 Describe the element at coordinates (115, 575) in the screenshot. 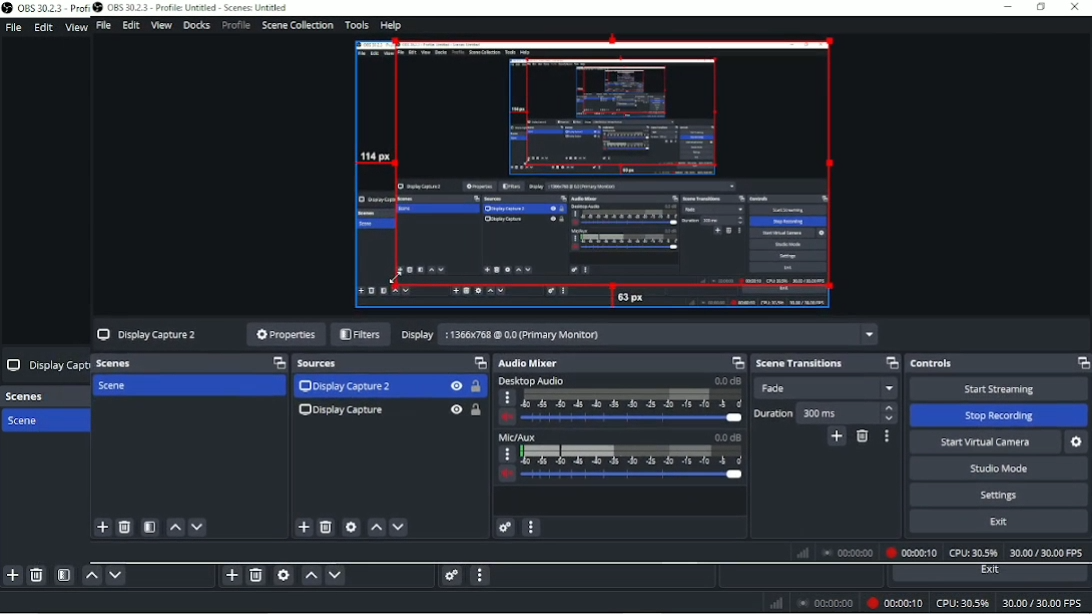

I see `Move scene down` at that location.